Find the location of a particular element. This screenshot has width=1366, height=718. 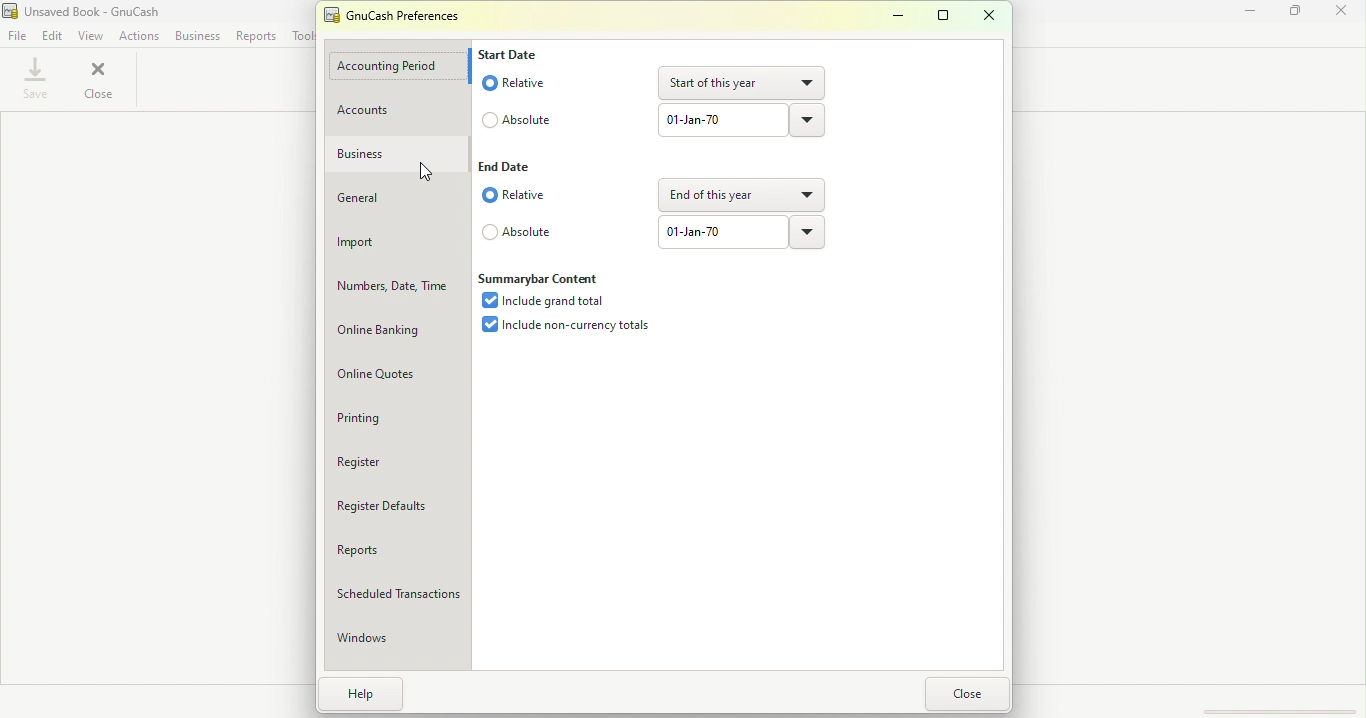

Close is located at coordinates (1345, 14).